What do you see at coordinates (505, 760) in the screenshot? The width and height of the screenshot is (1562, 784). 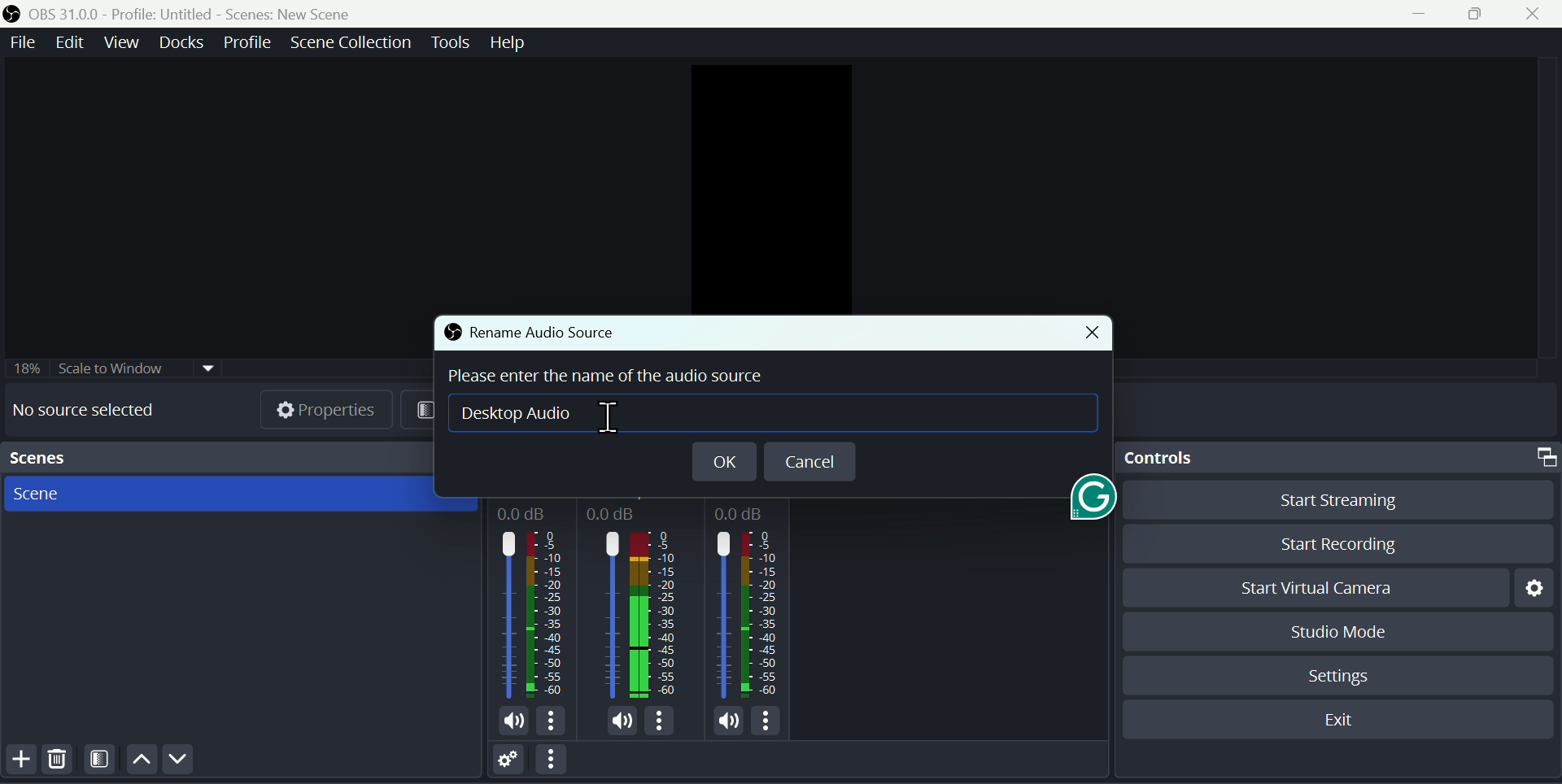 I see `Settings ` at bounding box center [505, 760].